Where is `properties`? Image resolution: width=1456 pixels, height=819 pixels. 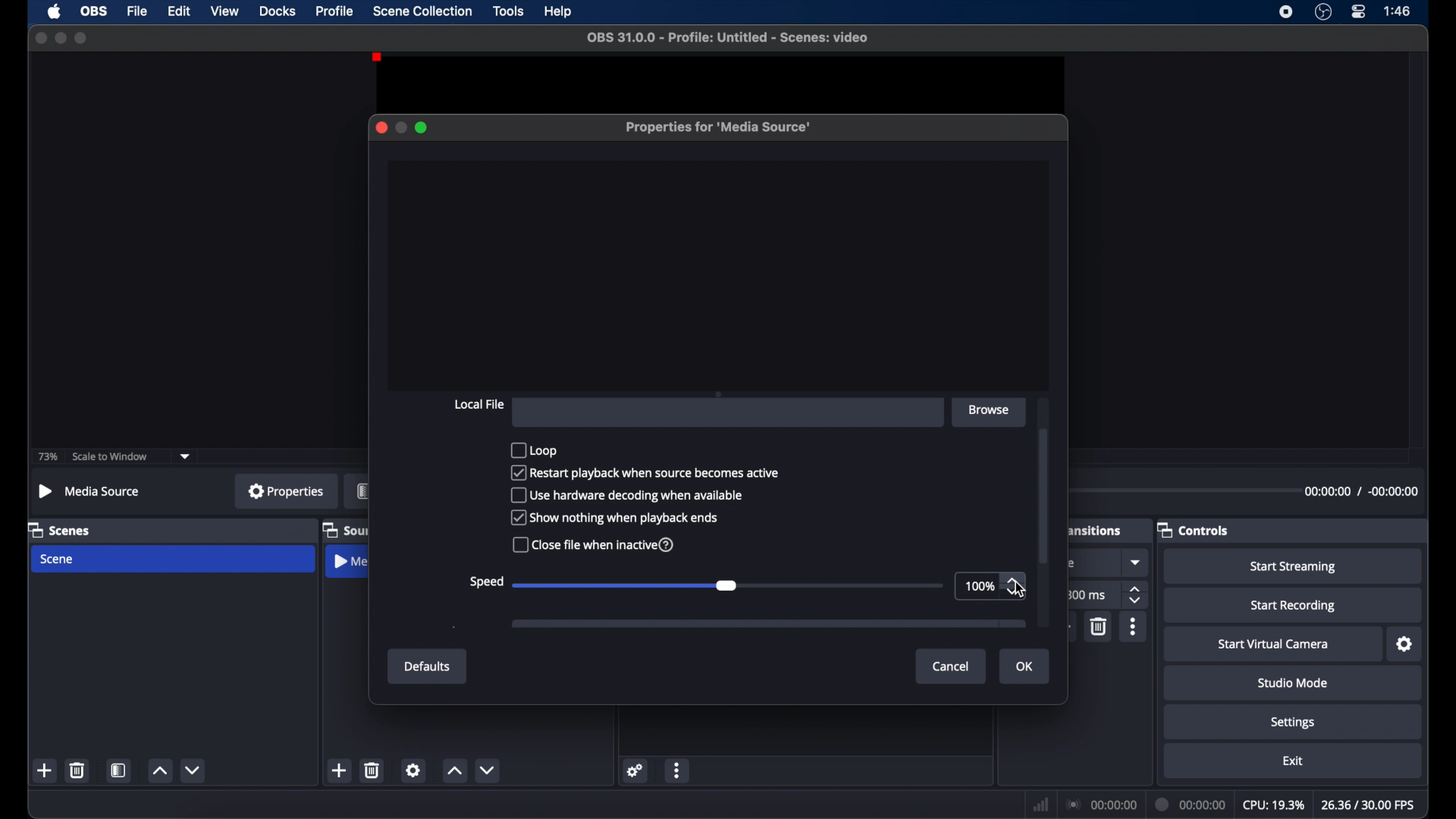 properties is located at coordinates (287, 490).